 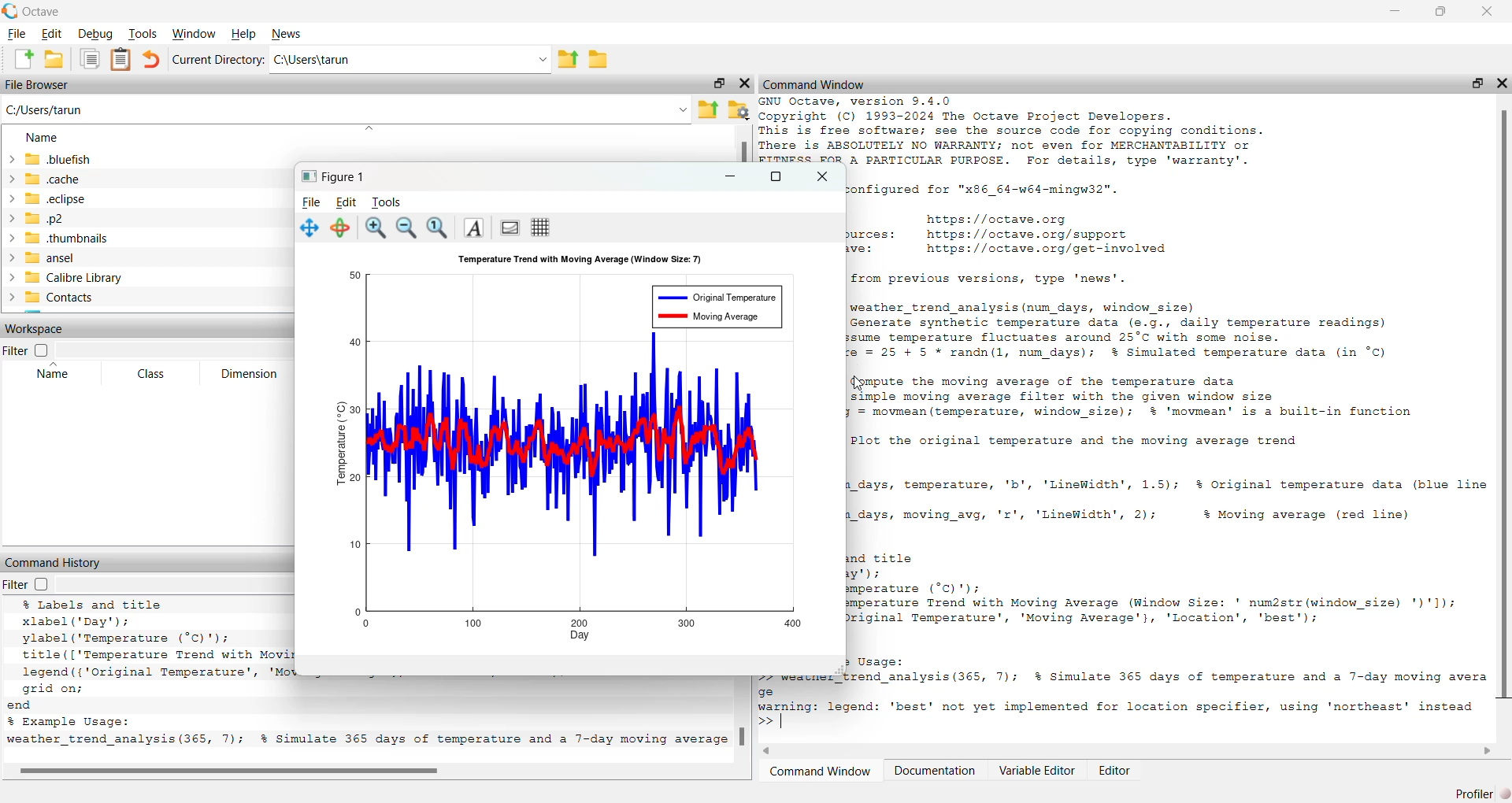 I want to click on Debug, so click(x=95, y=34).